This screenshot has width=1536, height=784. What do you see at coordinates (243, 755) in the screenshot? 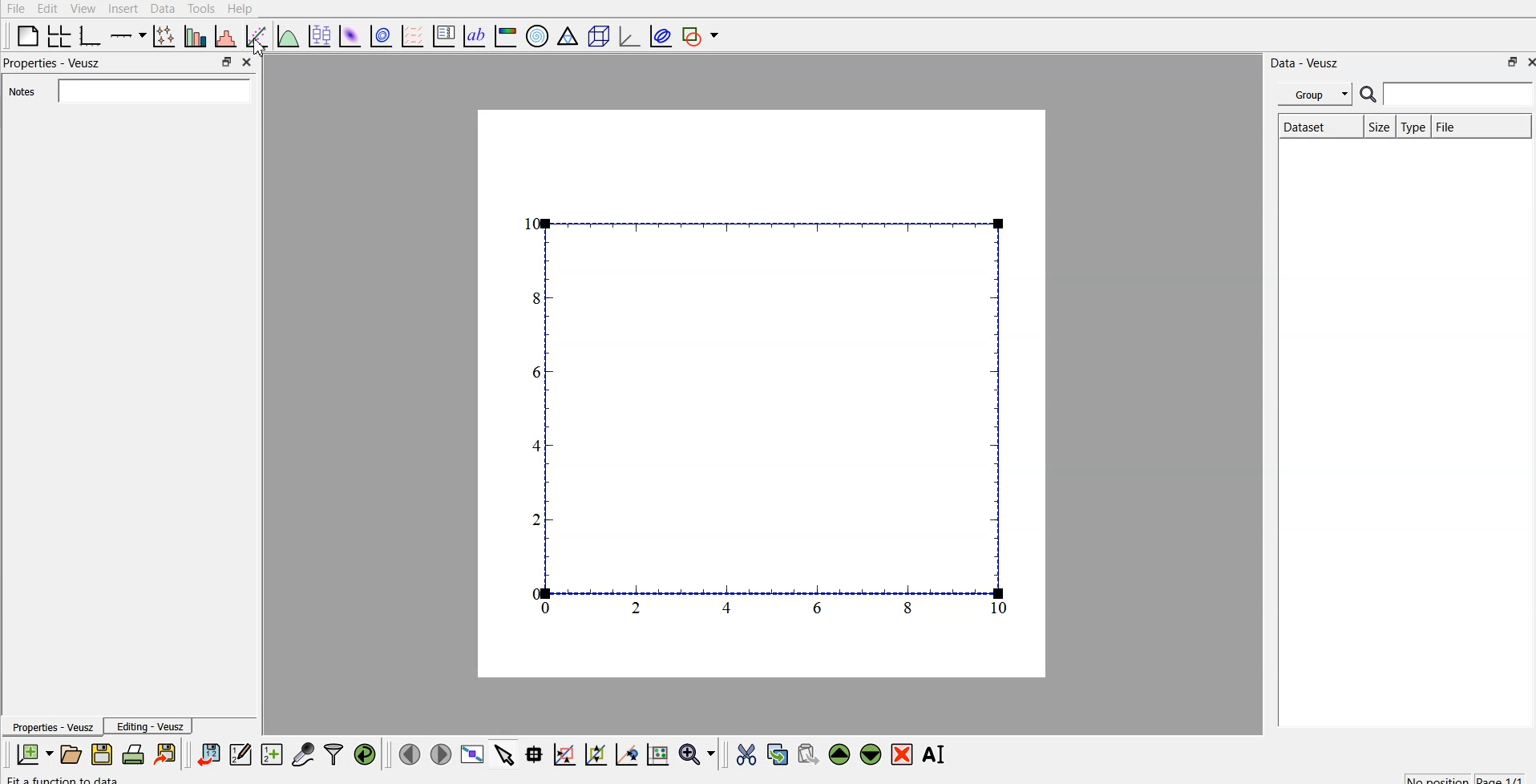
I see `edit and  enter new data sets` at bounding box center [243, 755].